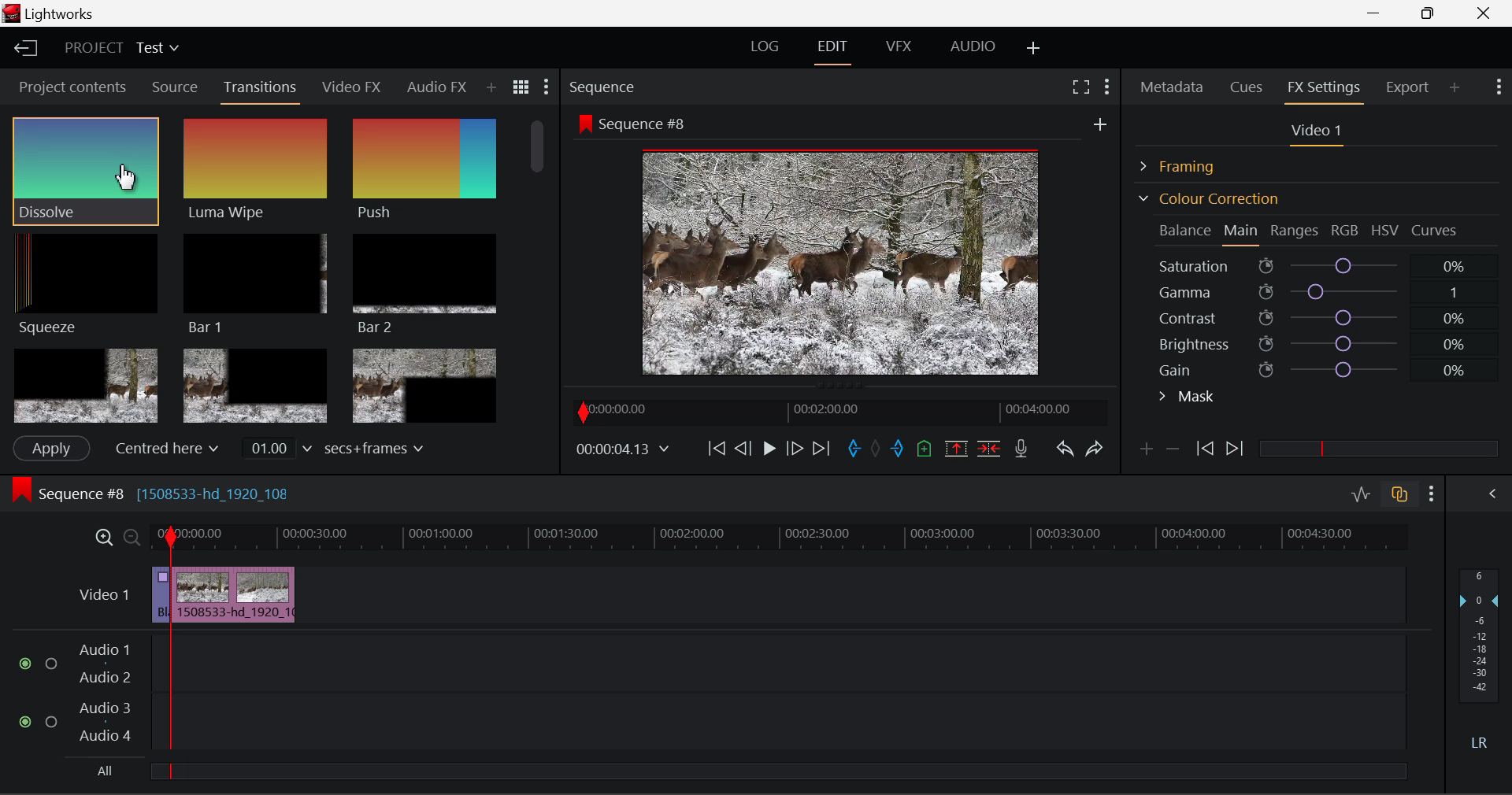 The height and width of the screenshot is (795, 1512). What do you see at coordinates (175, 87) in the screenshot?
I see `Source` at bounding box center [175, 87].